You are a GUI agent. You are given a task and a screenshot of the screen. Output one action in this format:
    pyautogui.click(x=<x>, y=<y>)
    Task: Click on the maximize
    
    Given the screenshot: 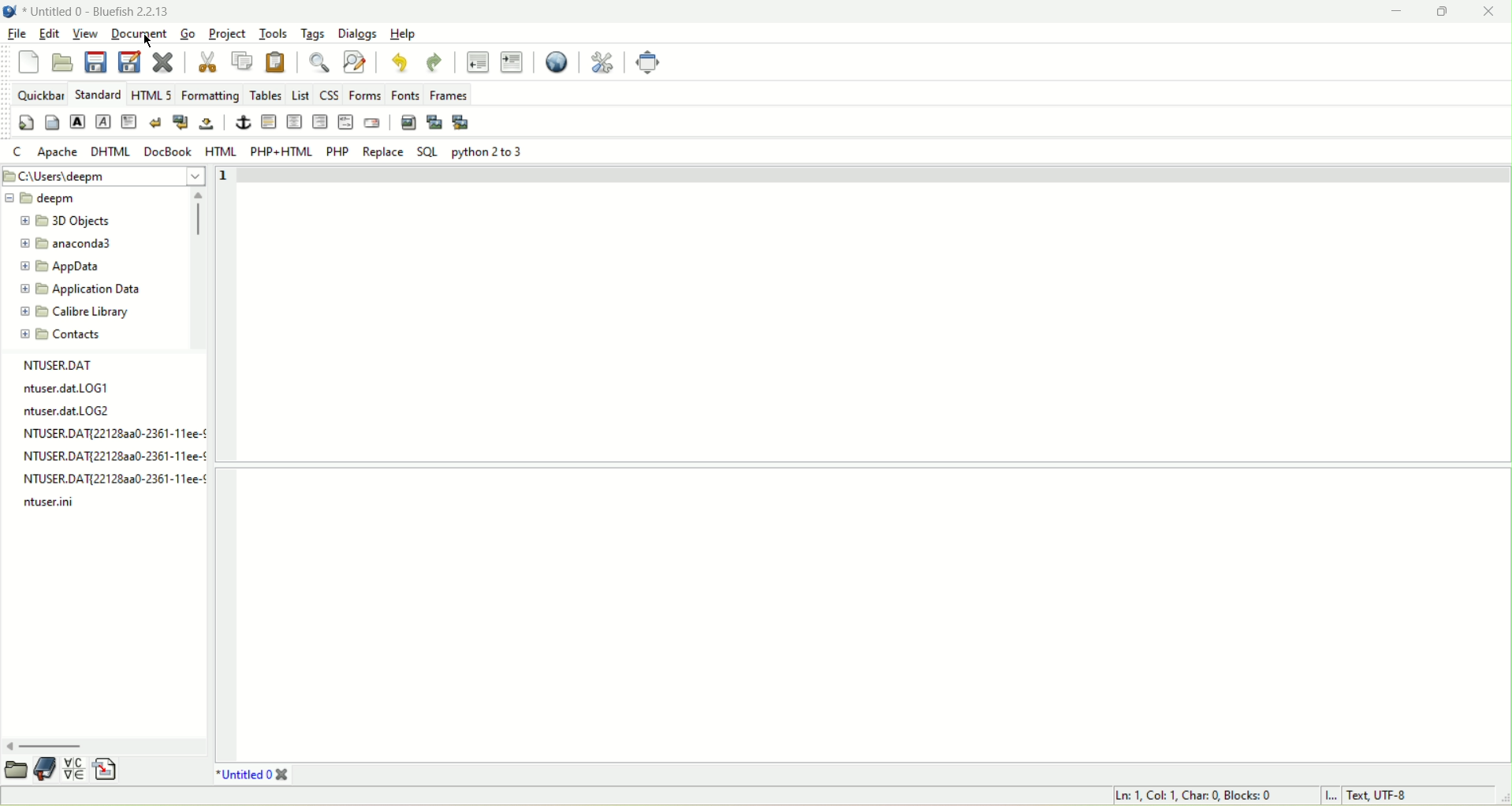 What is the action you would take?
    pyautogui.click(x=1446, y=13)
    